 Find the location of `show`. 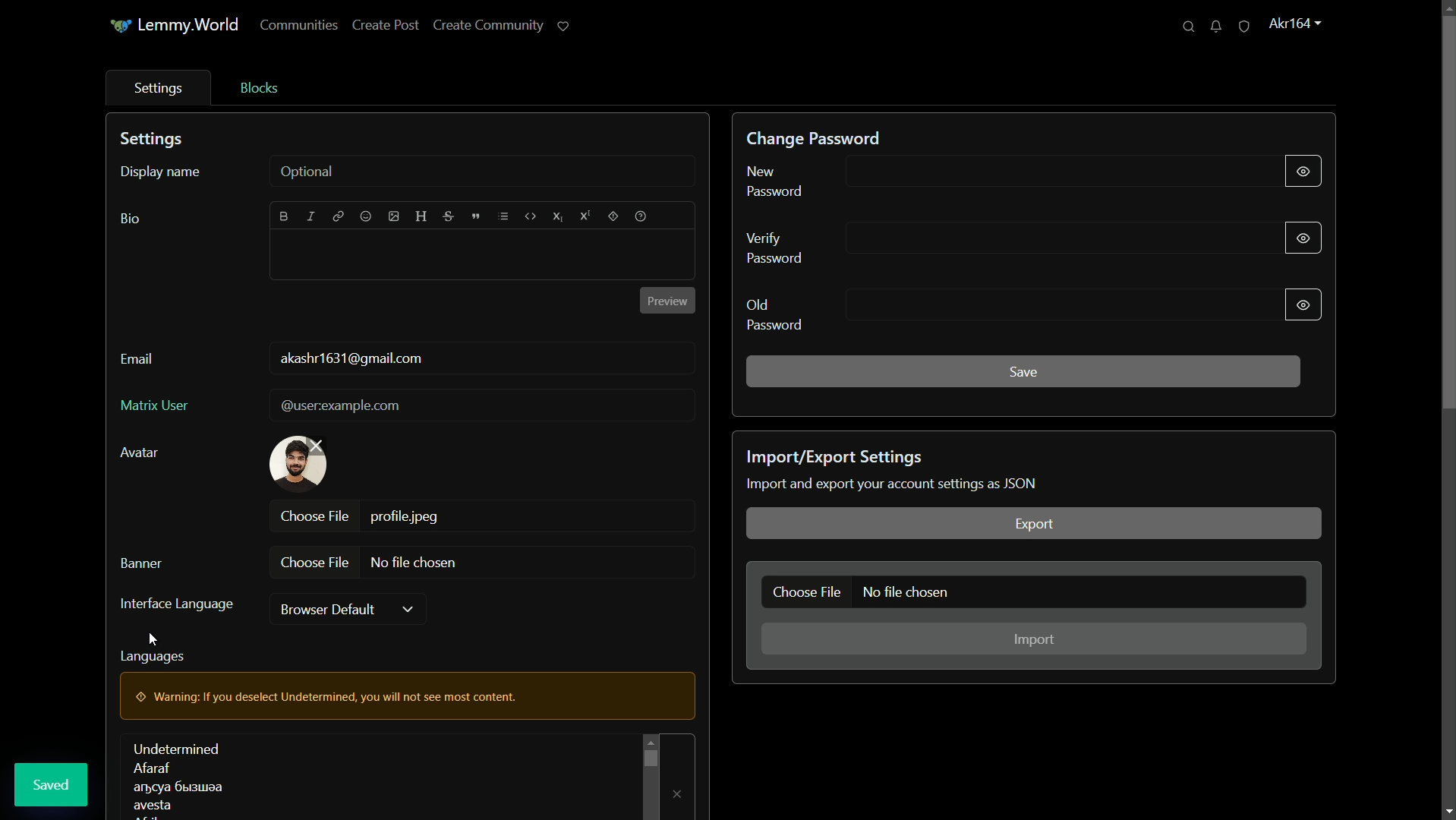

show is located at coordinates (1303, 236).